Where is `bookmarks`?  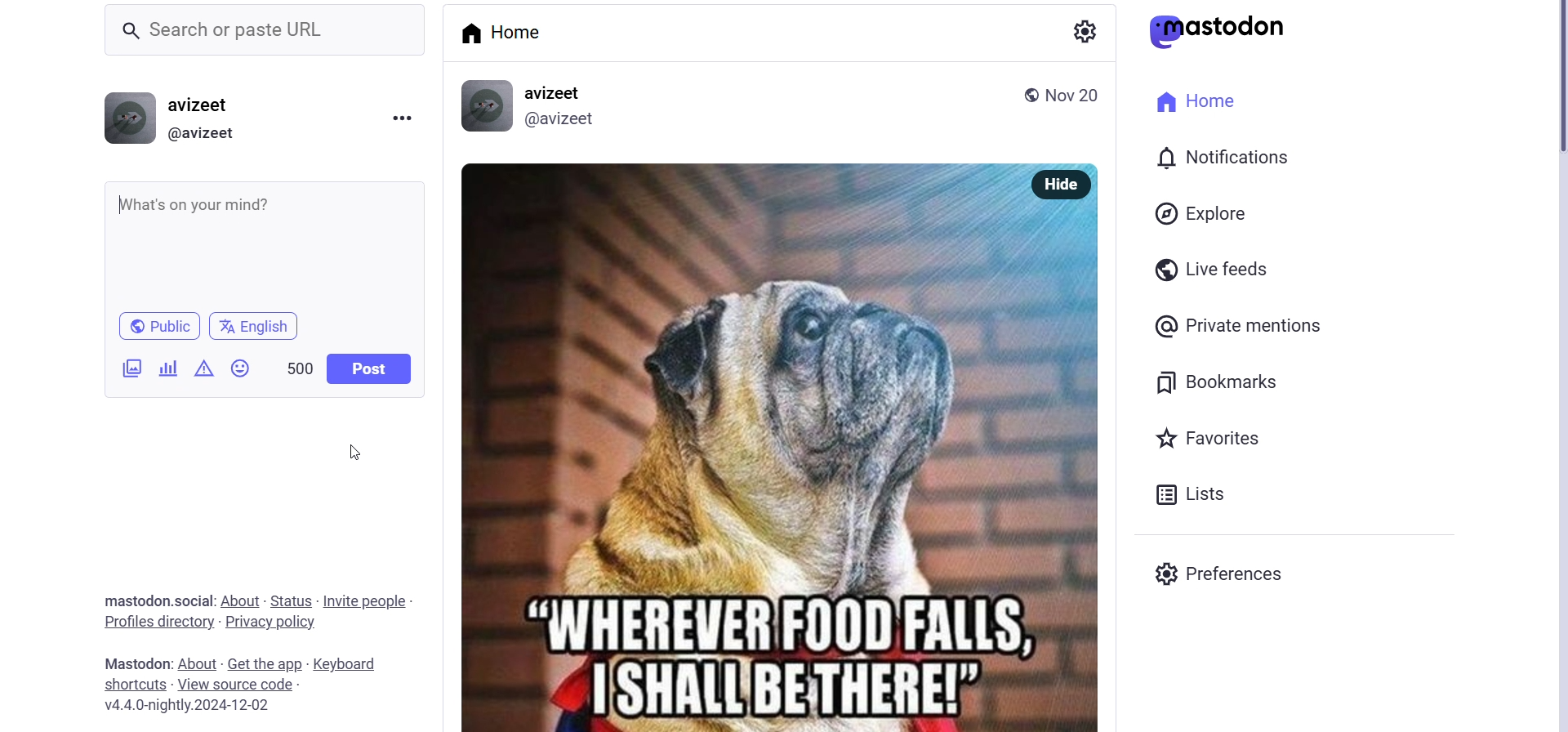
bookmarks is located at coordinates (1214, 382).